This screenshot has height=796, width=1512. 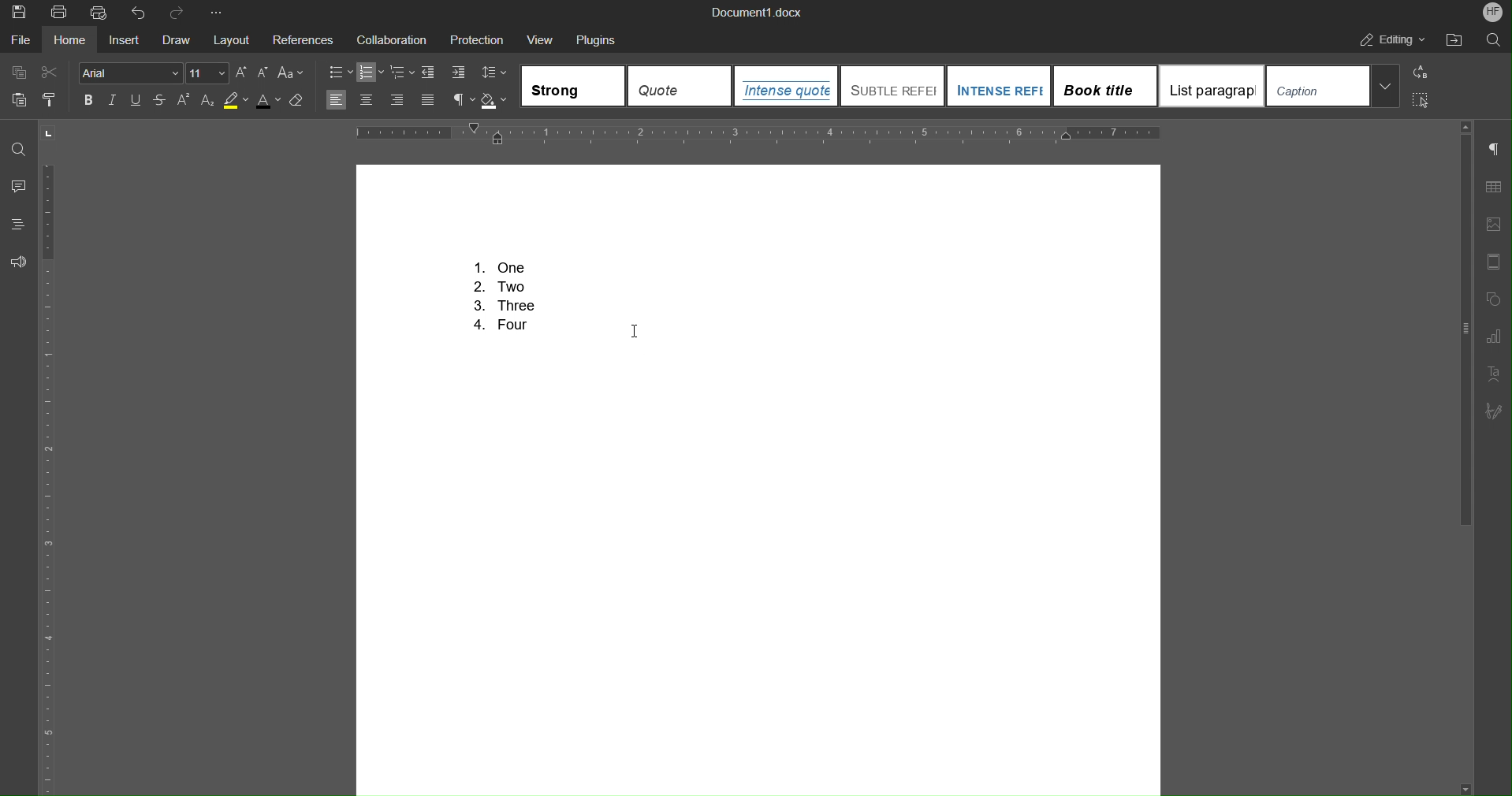 What do you see at coordinates (17, 99) in the screenshot?
I see `Paste` at bounding box center [17, 99].